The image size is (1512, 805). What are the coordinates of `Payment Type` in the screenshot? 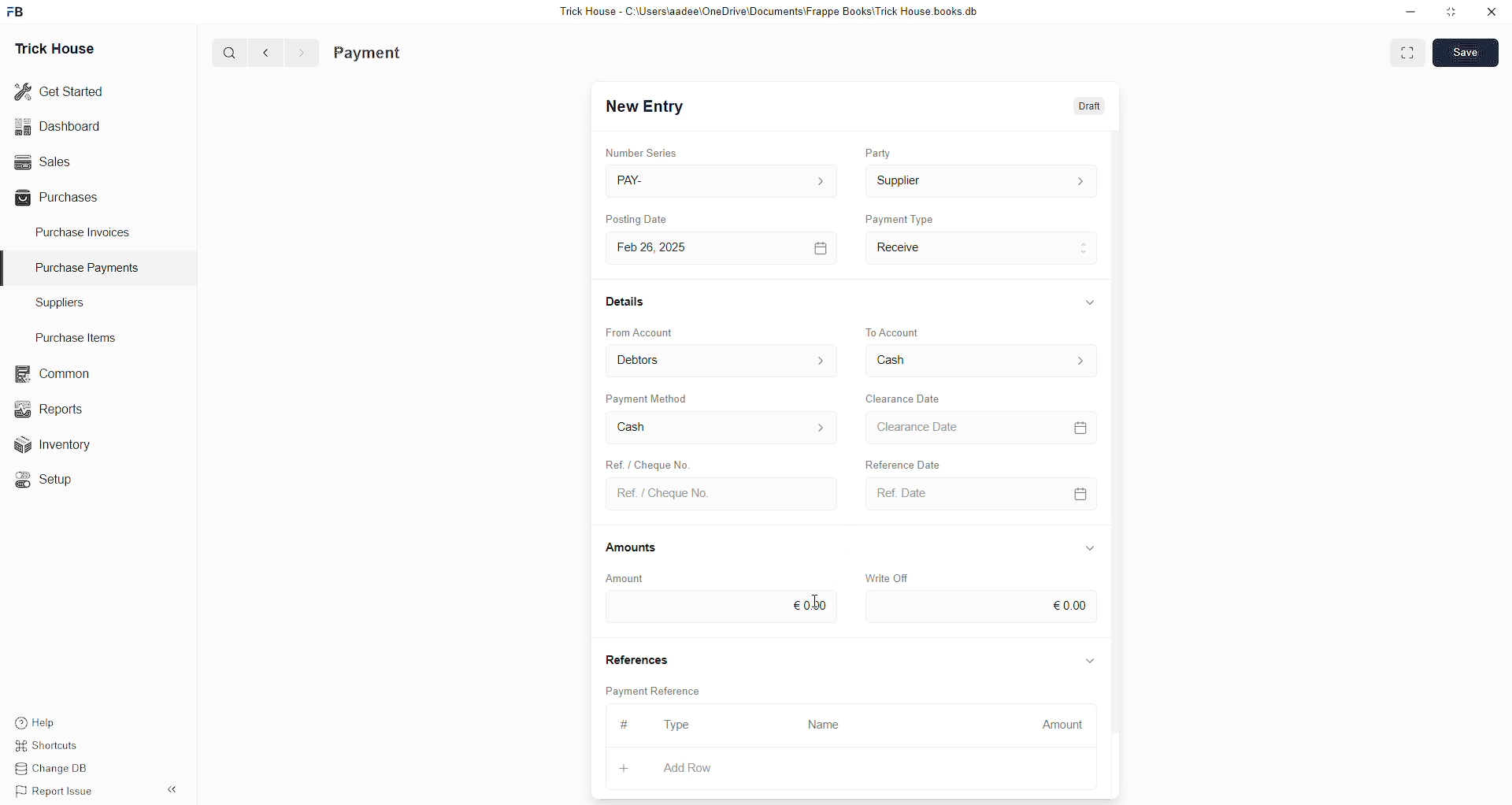 It's located at (900, 217).